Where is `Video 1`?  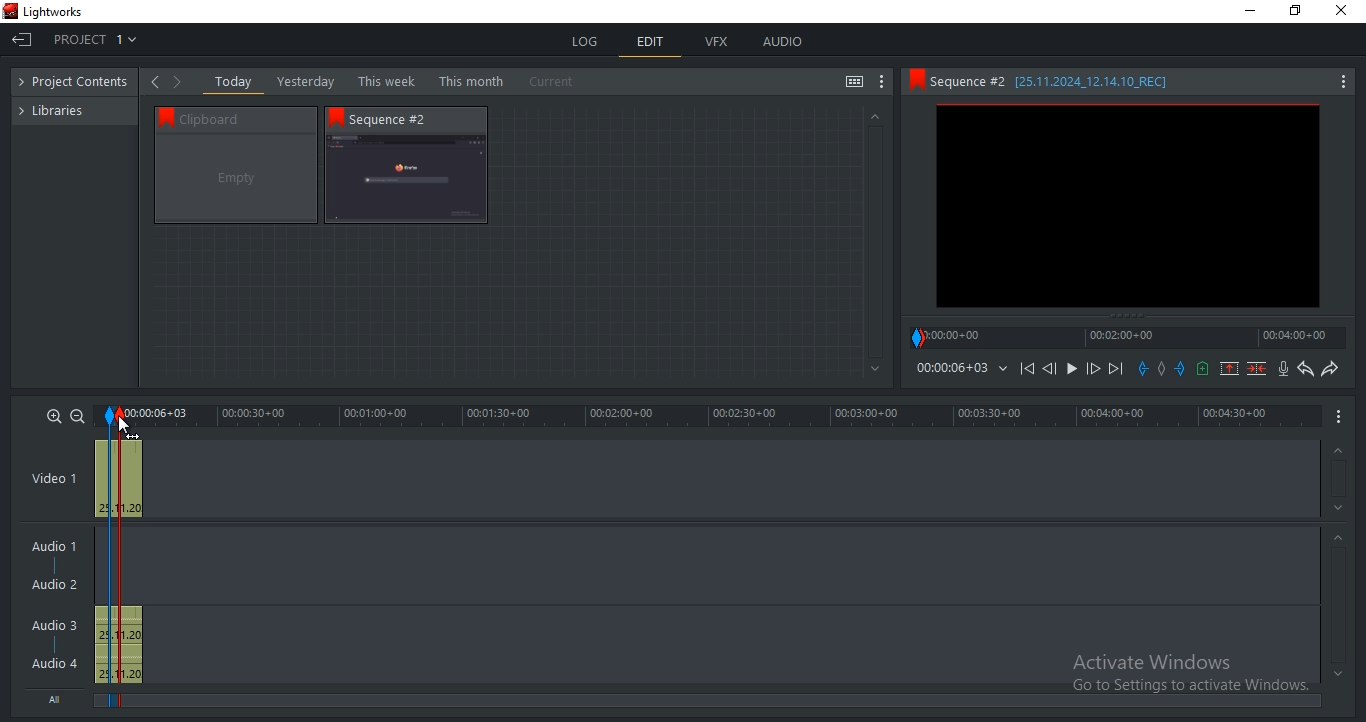 Video 1 is located at coordinates (54, 480).